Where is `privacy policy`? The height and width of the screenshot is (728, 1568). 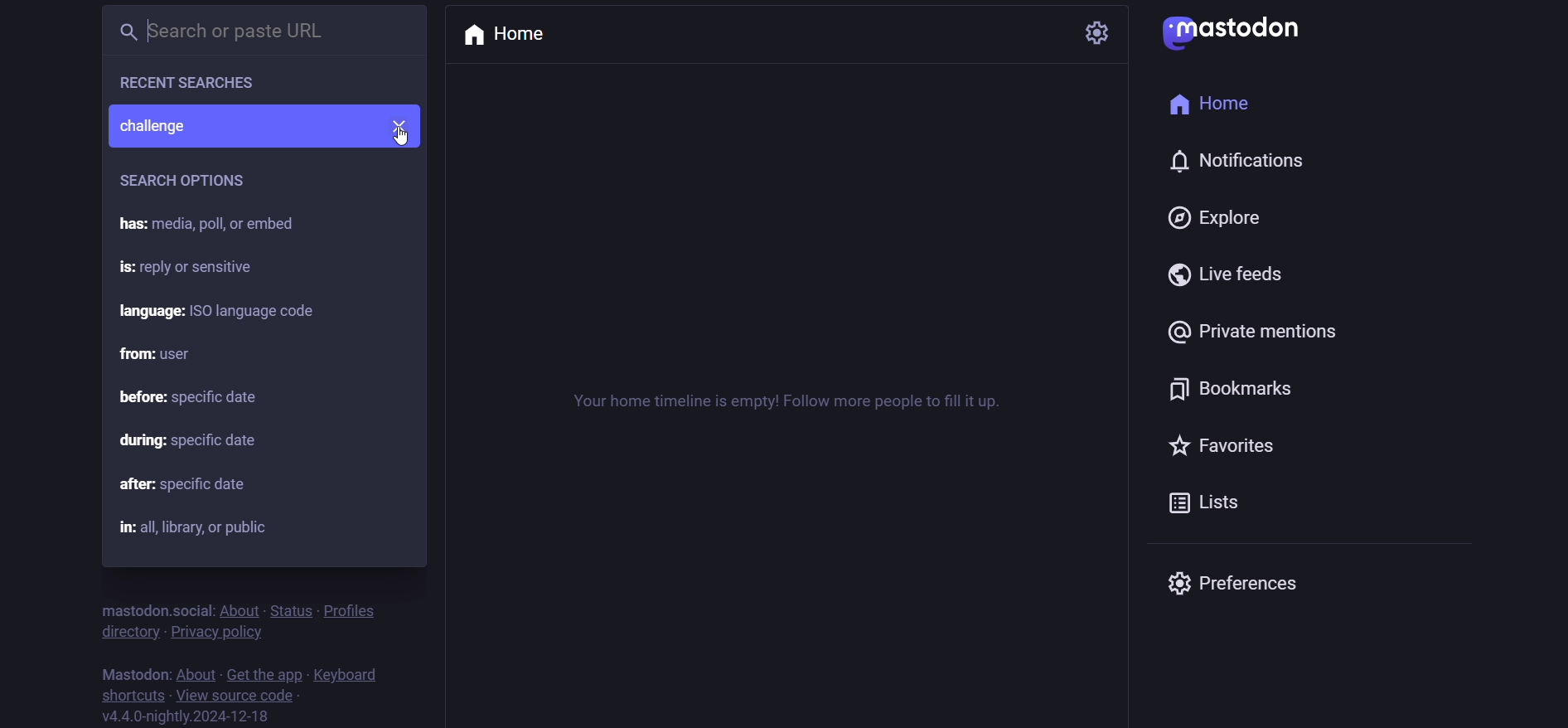 privacy policy is located at coordinates (222, 633).